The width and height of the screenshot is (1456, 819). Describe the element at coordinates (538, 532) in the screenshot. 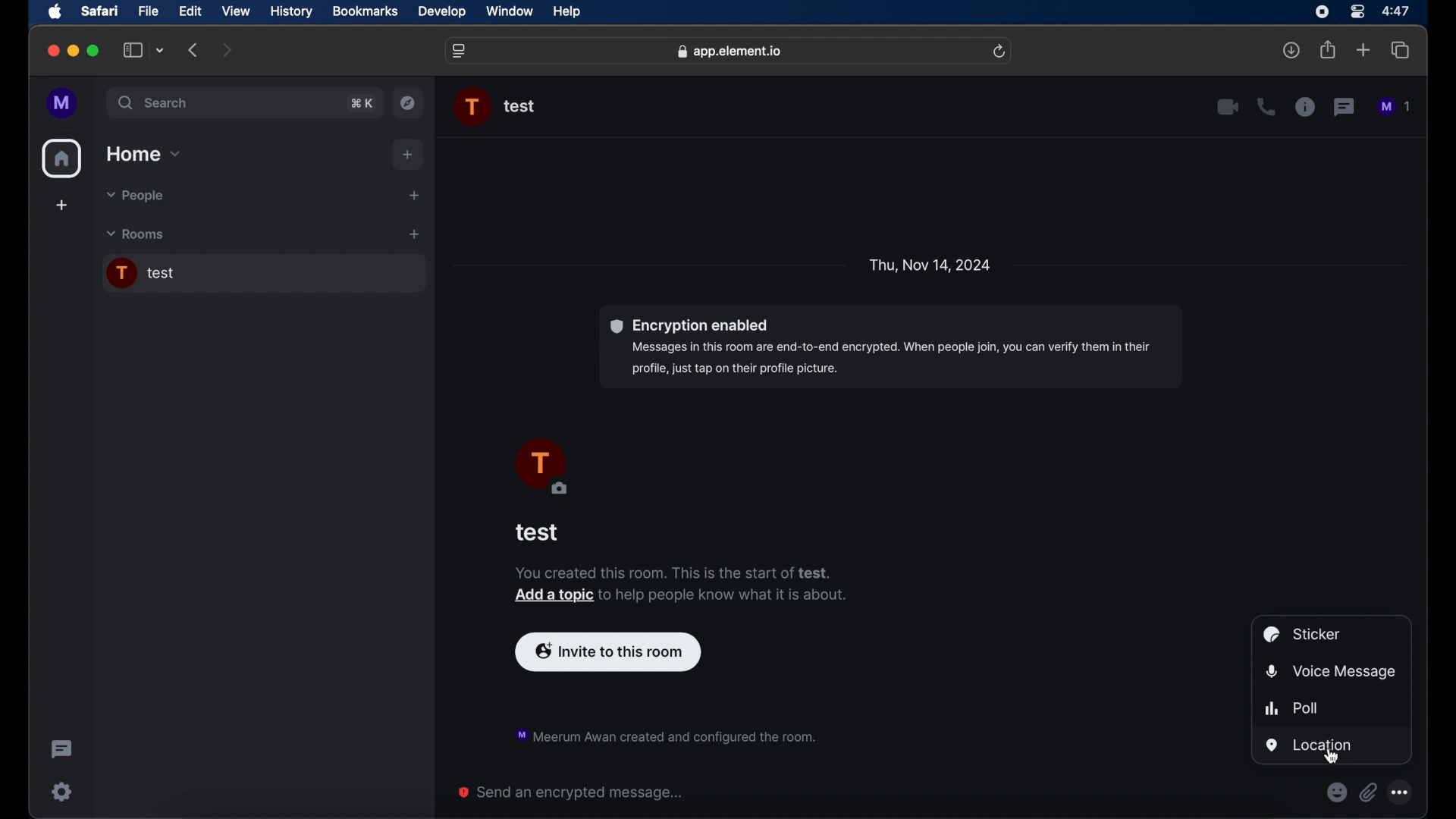

I see `test` at that location.